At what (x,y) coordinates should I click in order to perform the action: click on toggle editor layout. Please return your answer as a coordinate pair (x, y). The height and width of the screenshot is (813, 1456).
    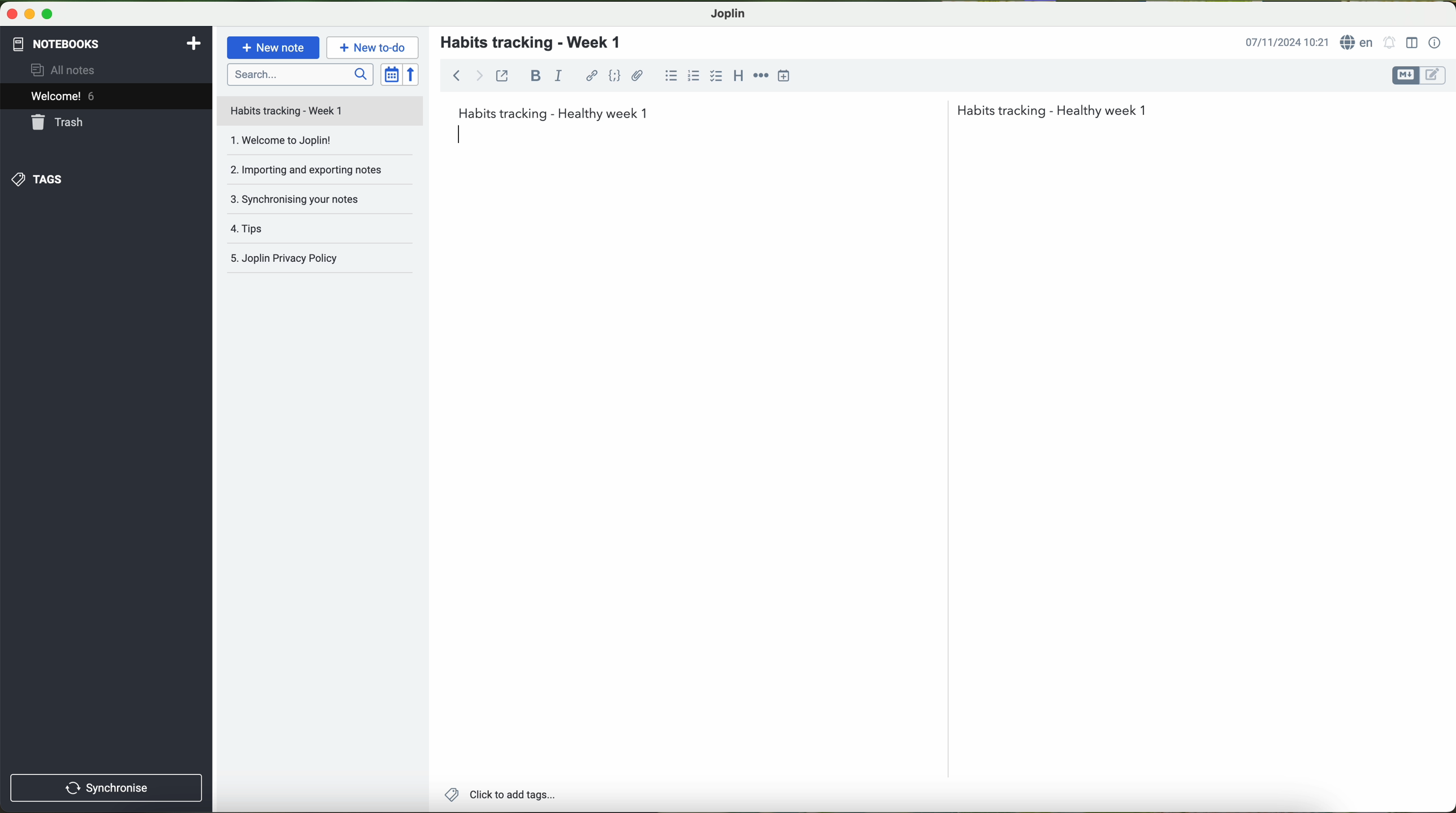
    Looking at the image, I should click on (1412, 43).